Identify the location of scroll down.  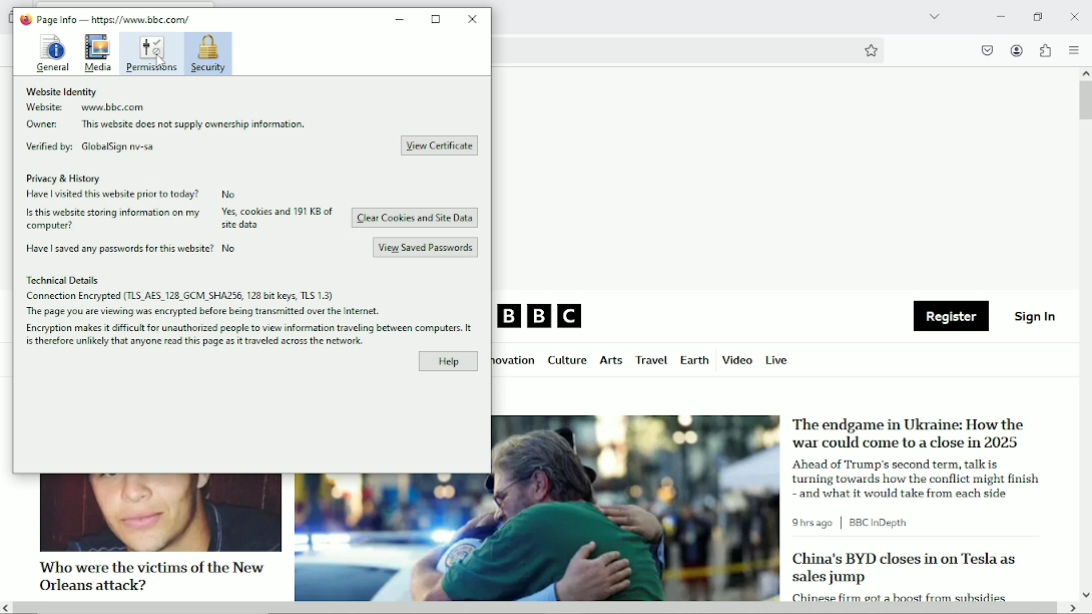
(1085, 594).